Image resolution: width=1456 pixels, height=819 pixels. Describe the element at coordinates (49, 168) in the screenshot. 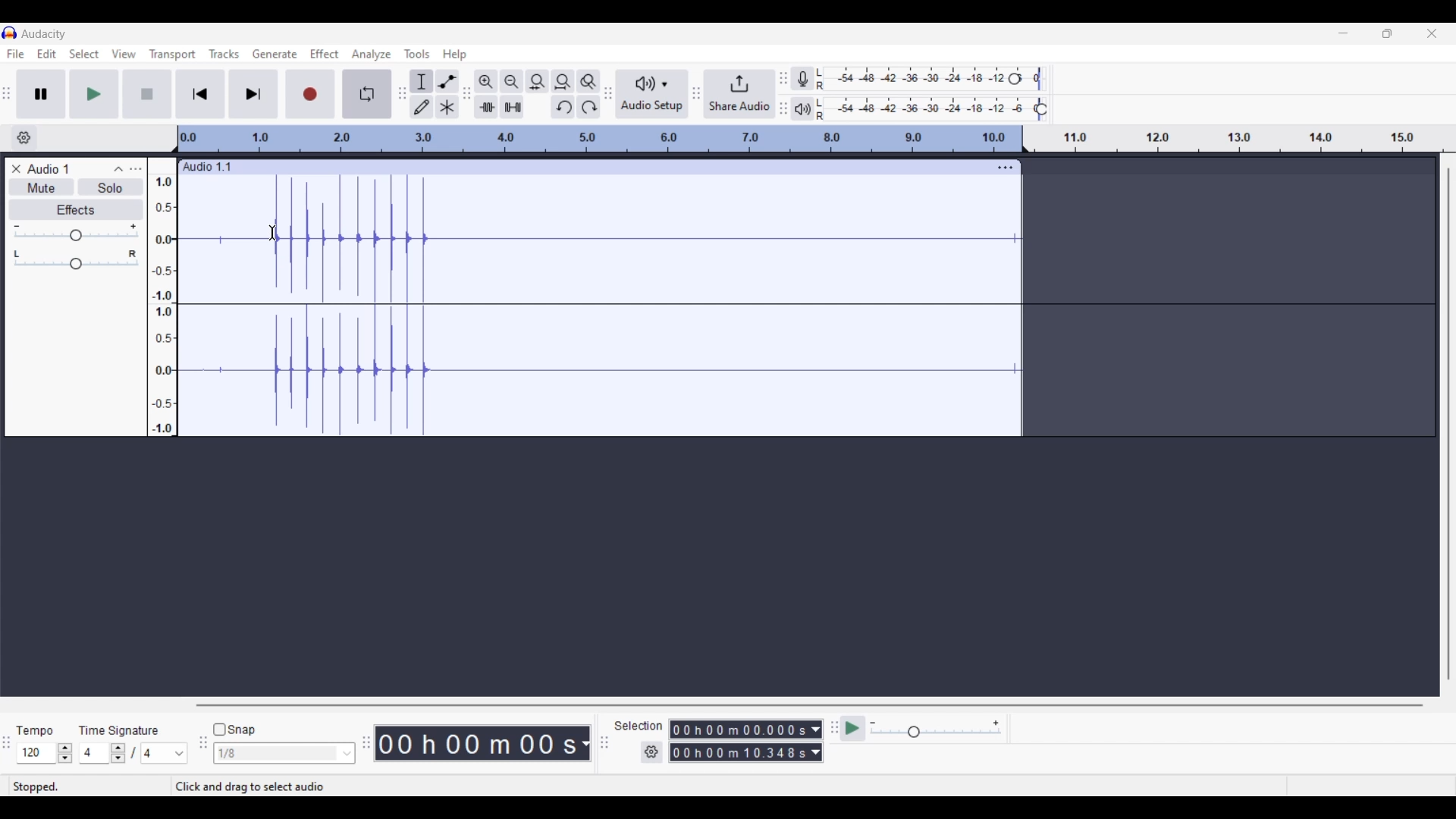

I see `Name of audio track` at that location.